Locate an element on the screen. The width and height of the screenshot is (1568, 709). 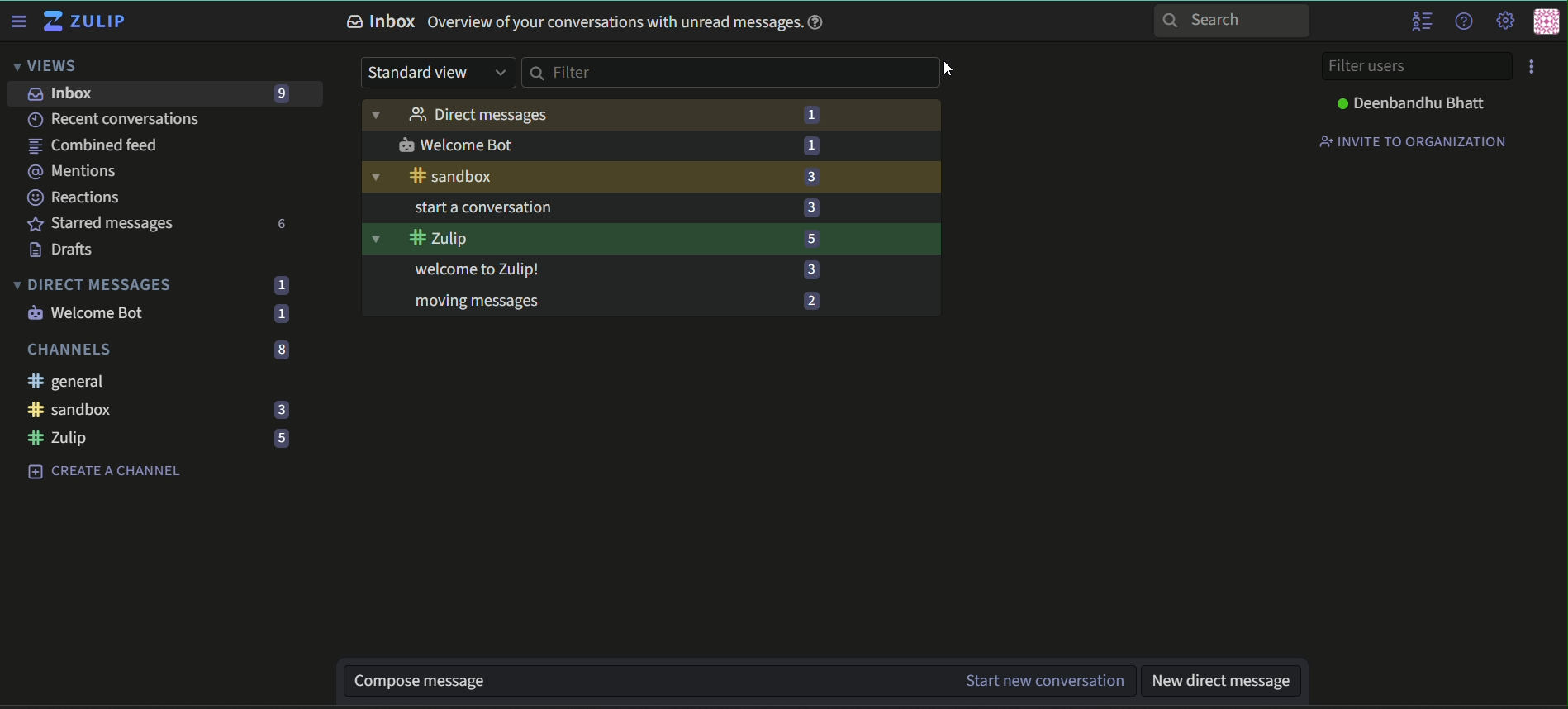
Drafts is located at coordinates (69, 249).